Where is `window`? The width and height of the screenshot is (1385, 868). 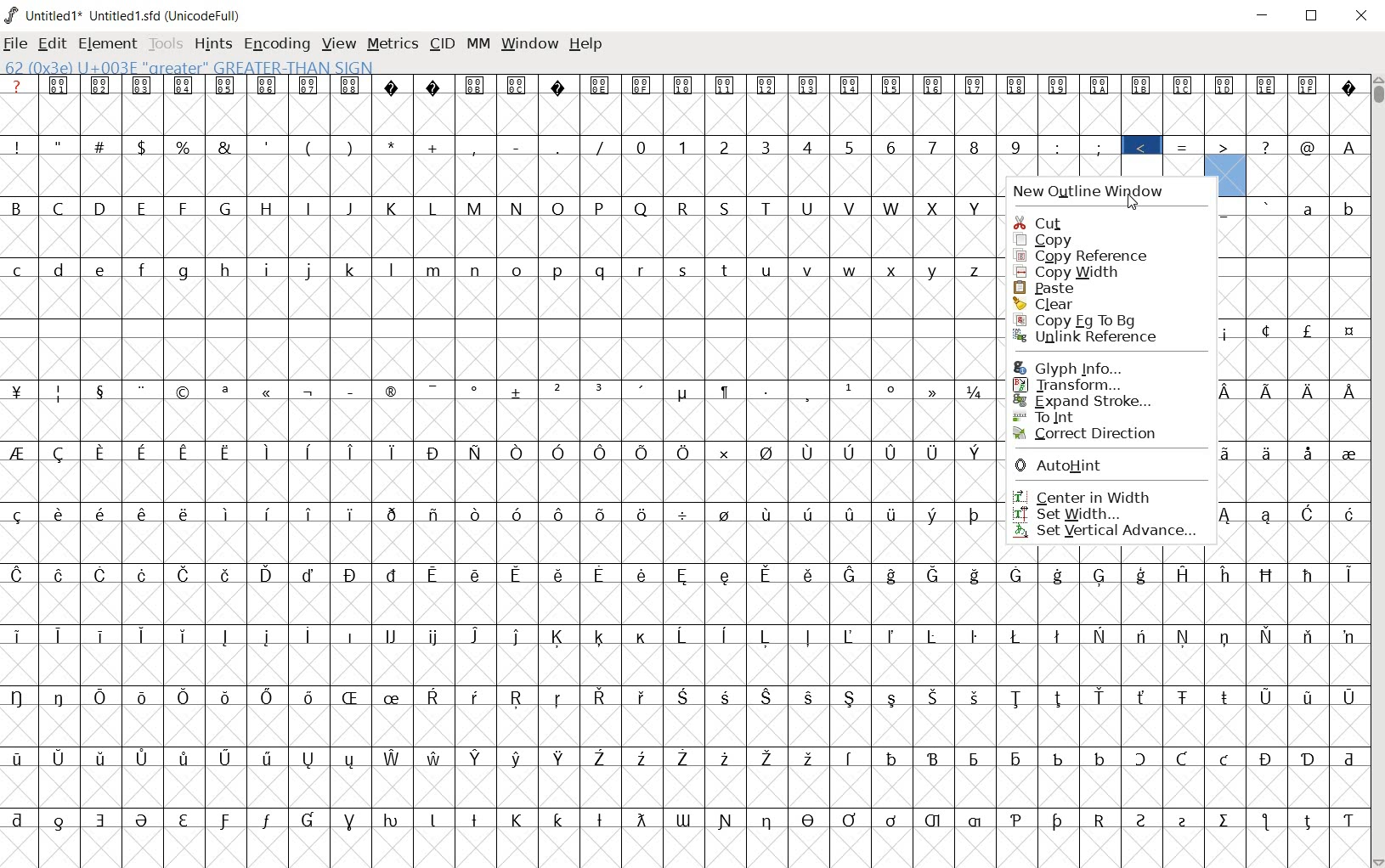 window is located at coordinates (529, 45).